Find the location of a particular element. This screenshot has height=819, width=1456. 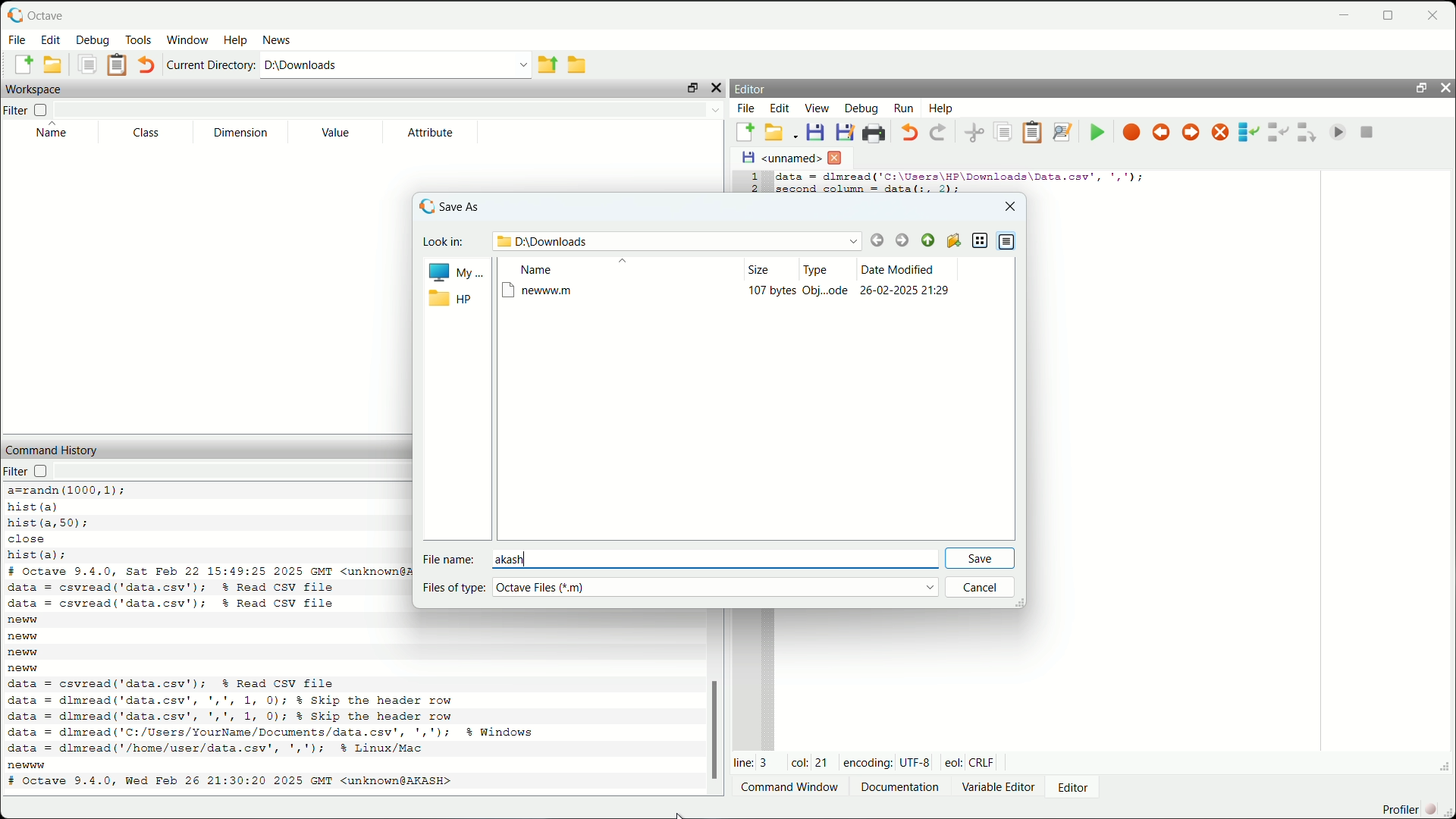

save file as is located at coordinates (844, 133).